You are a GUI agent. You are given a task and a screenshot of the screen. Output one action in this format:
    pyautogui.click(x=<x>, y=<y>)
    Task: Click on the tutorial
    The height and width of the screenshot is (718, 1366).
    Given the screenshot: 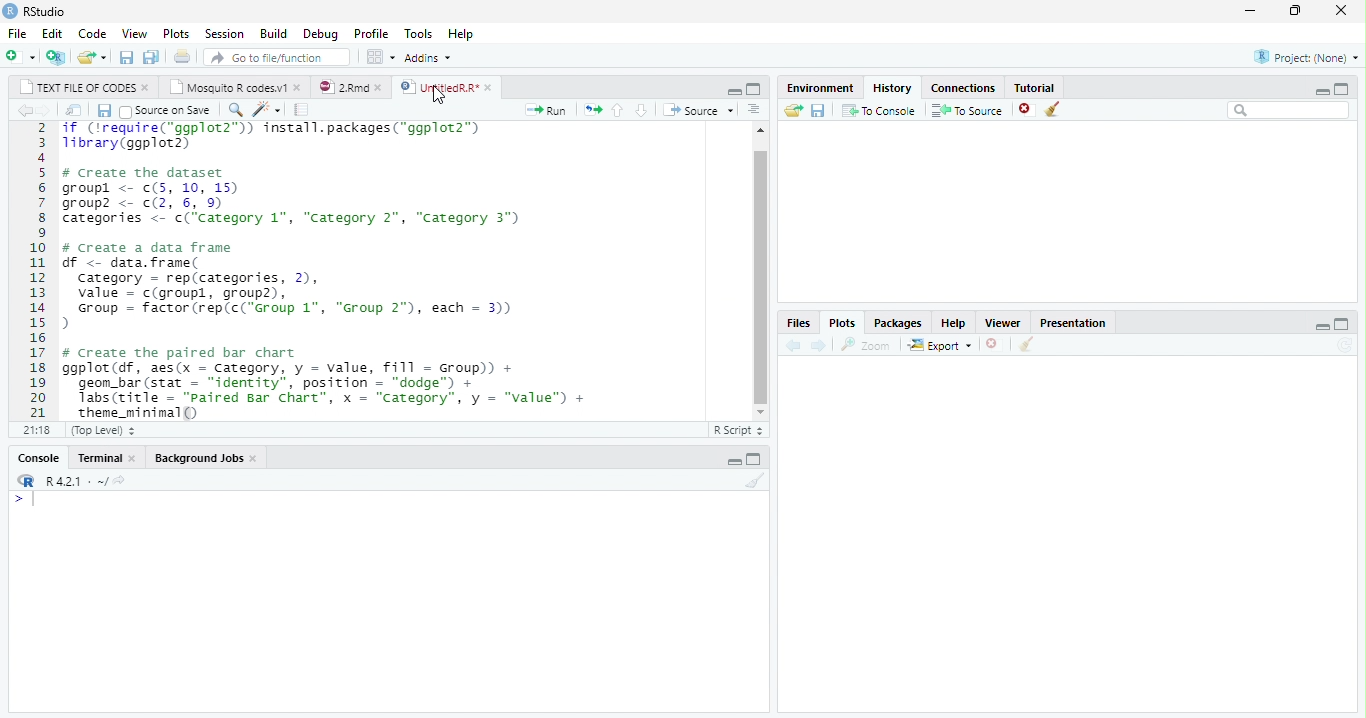 What is the action you would take?
    pyautogui.click(x=1045, y=88)
    